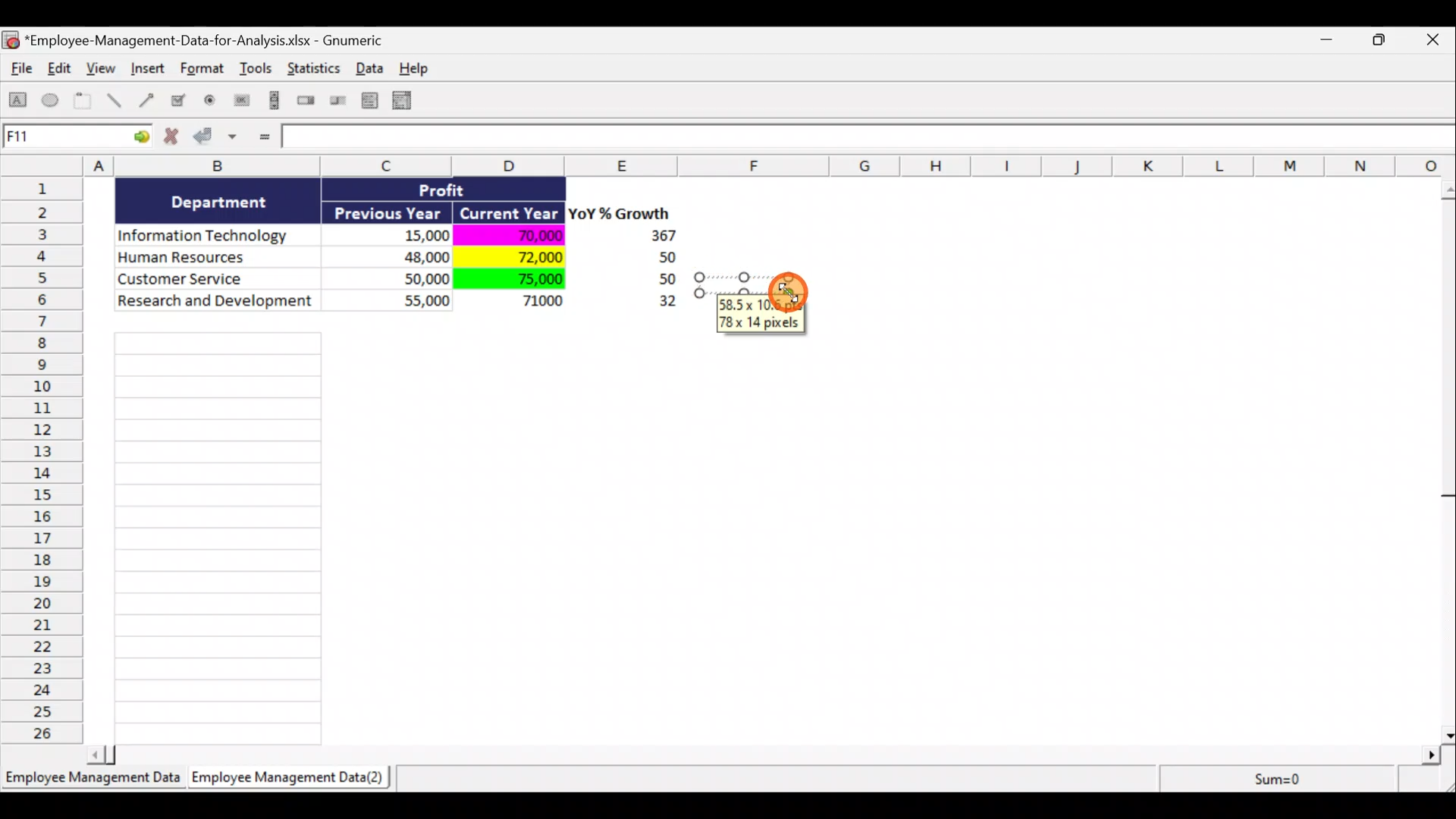 The height and width of the screenshot is (819, 1456). What do you see at coordinates (218, 142) in the screenshot?
I see `Accept changes` at bounding box center [218, 142].